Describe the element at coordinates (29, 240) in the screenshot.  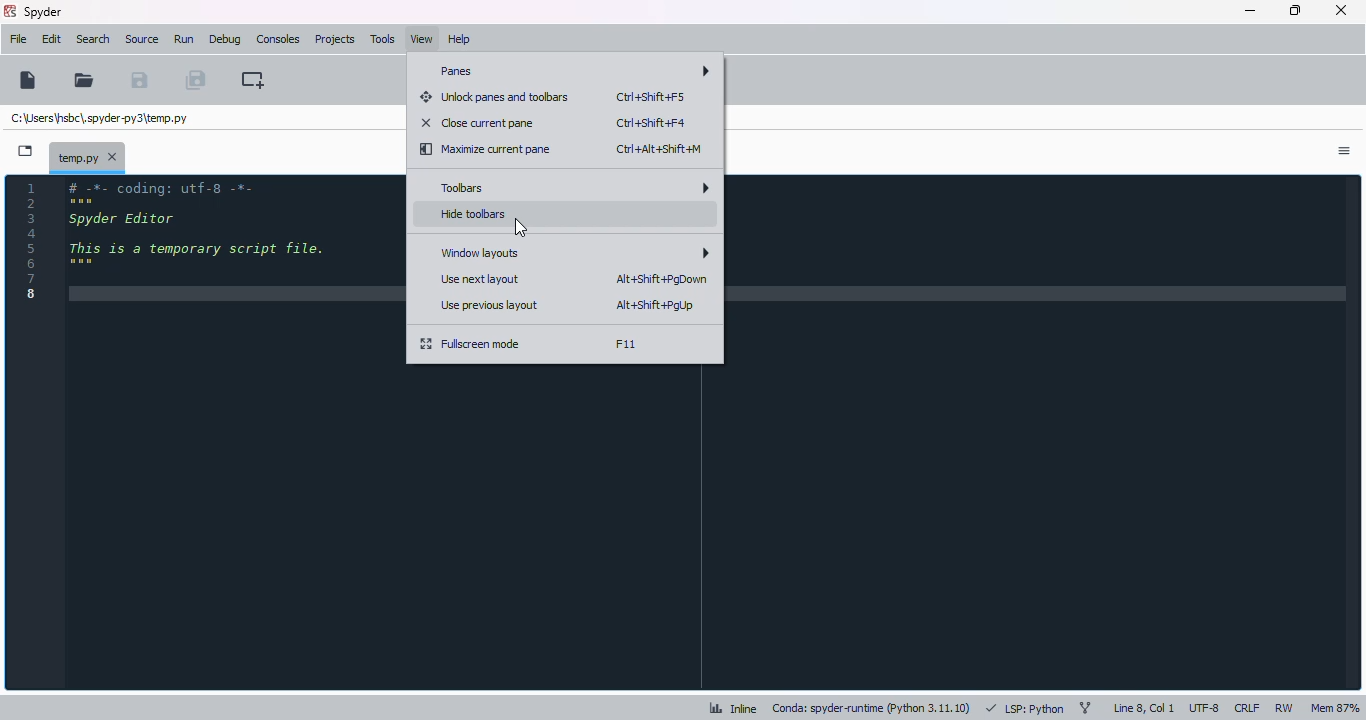
I see `line numbers` at that location.